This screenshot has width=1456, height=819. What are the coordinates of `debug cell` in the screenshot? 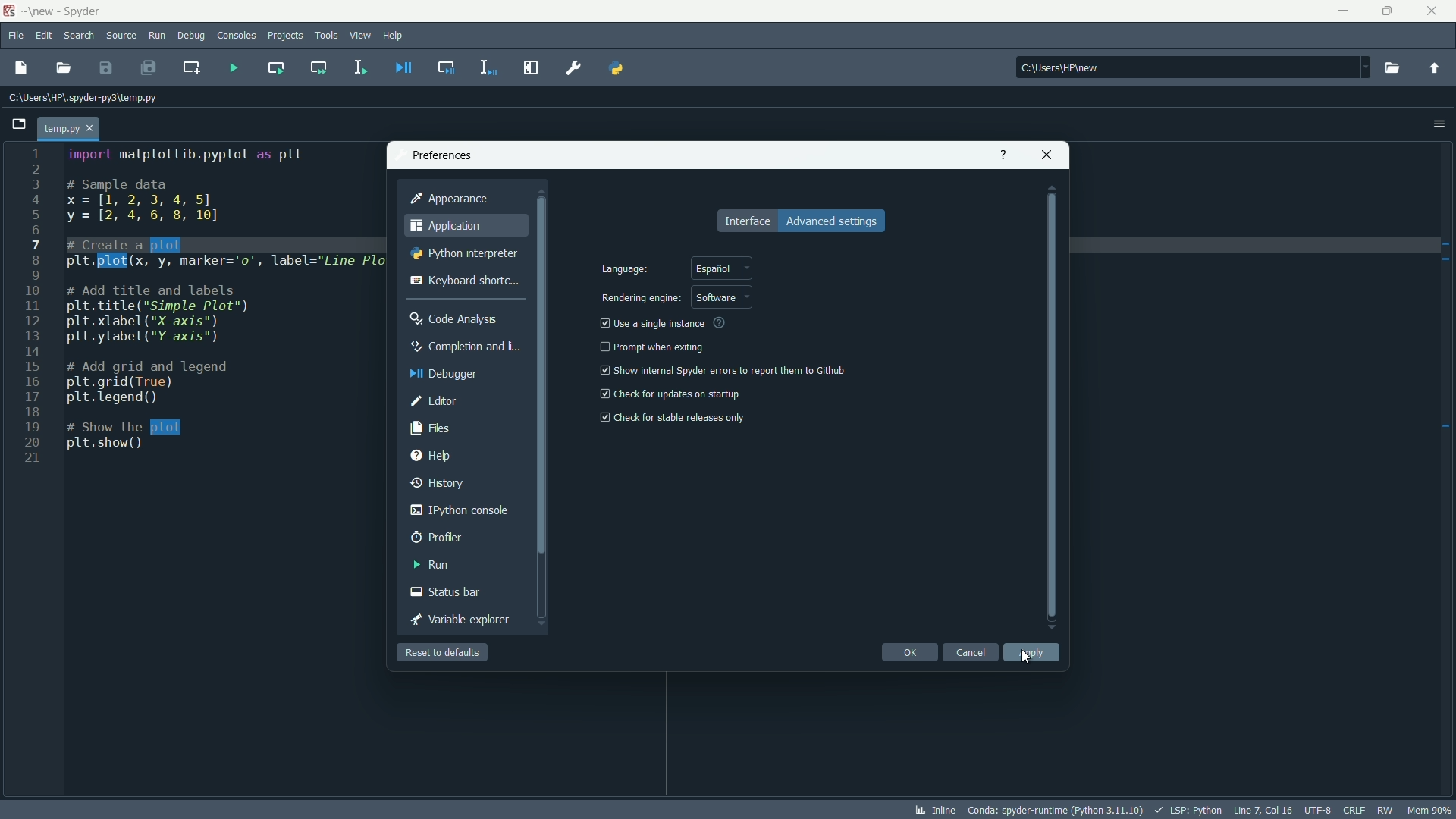 It's located at (447, 67).